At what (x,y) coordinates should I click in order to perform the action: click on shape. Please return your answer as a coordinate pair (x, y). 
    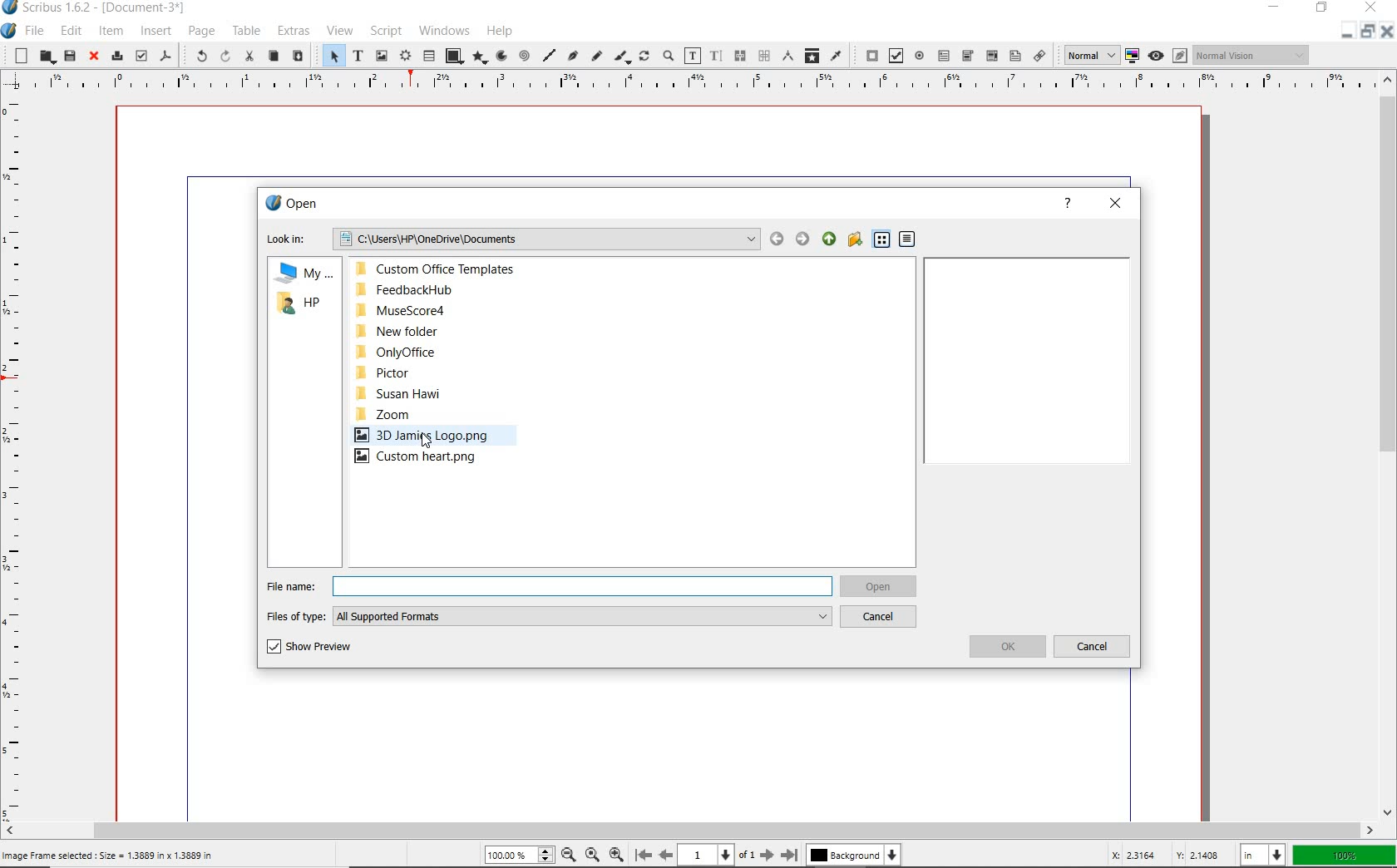
    Looking at the image, I should click on (453, 56).